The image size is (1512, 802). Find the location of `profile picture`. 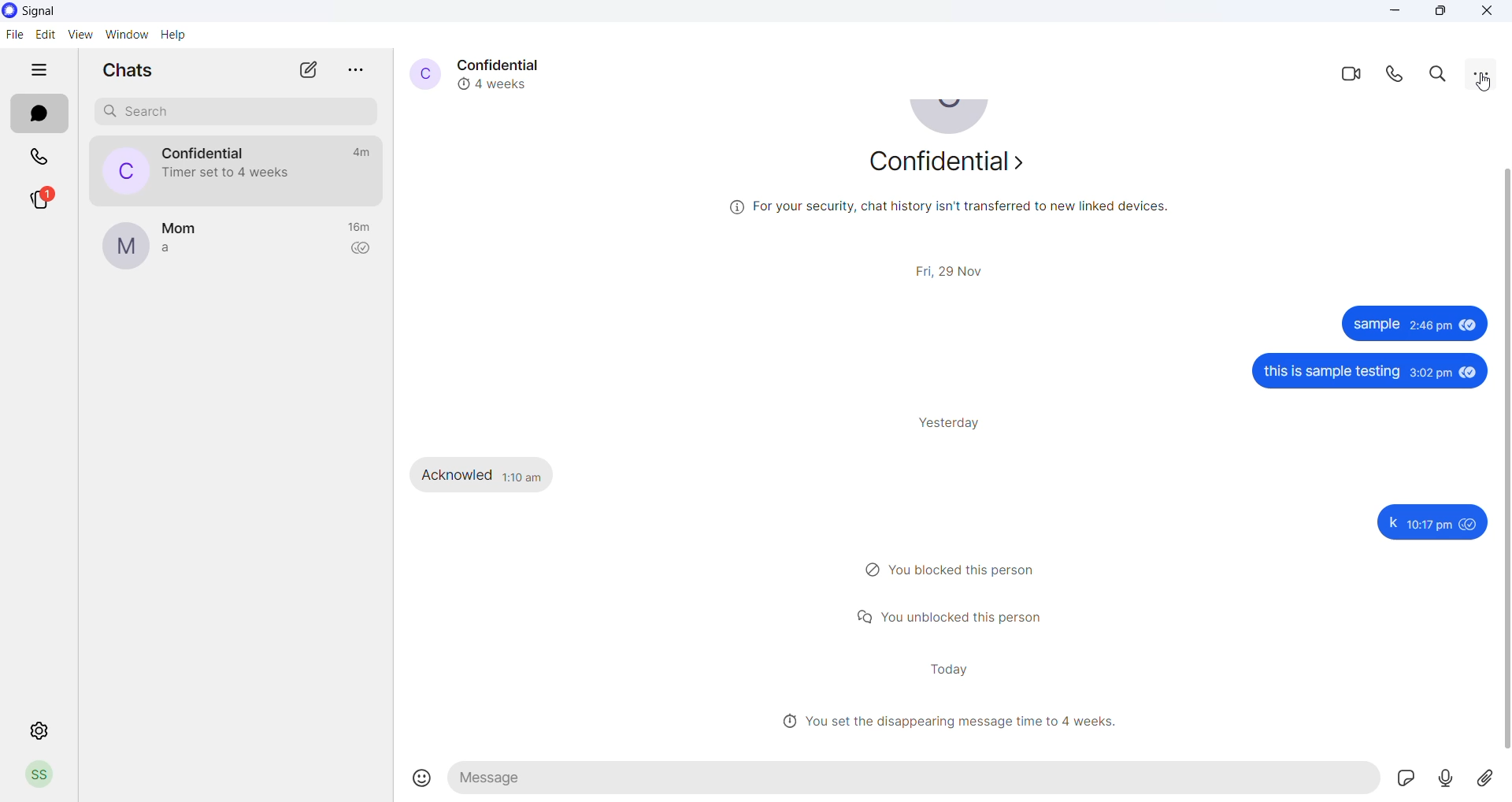

profile picture is located at coordinates (117, 170).